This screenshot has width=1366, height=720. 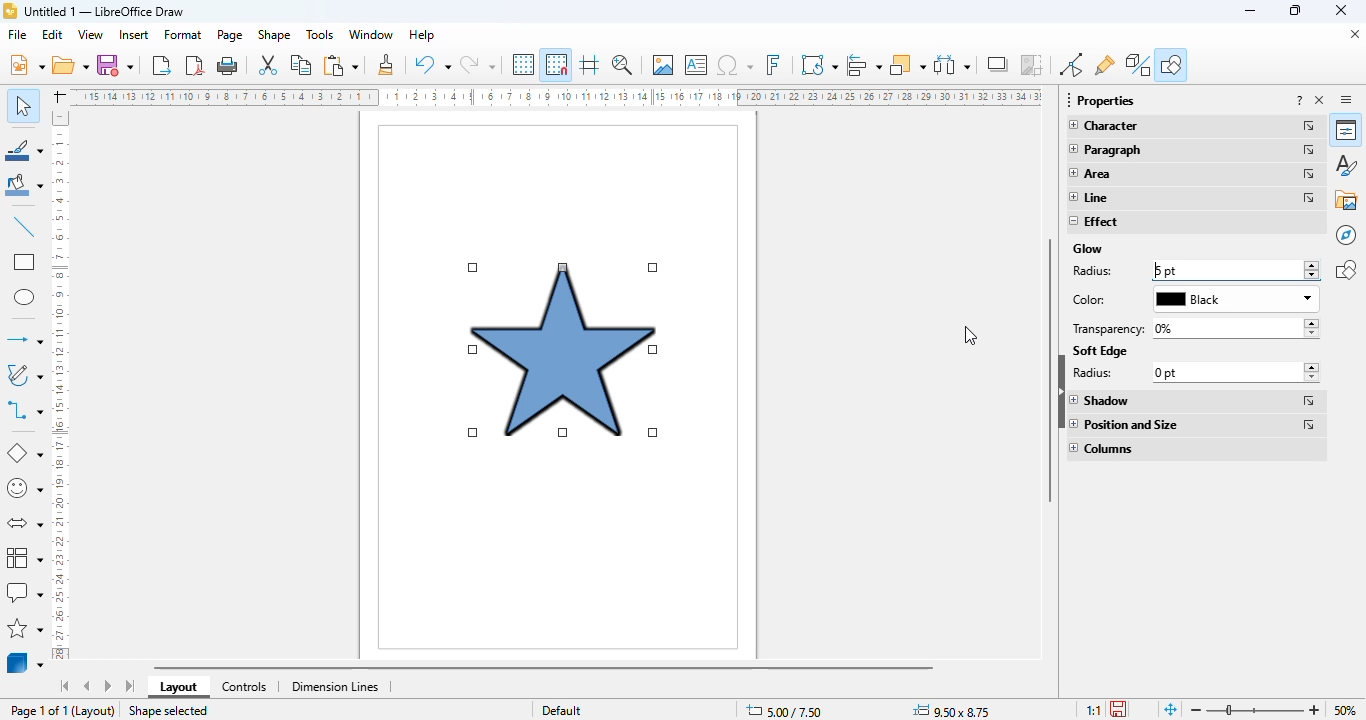 What do you see at coordinates (1257, 708) in the screenshot?
I see `zoom slider` at bounding box center [1257, 708].